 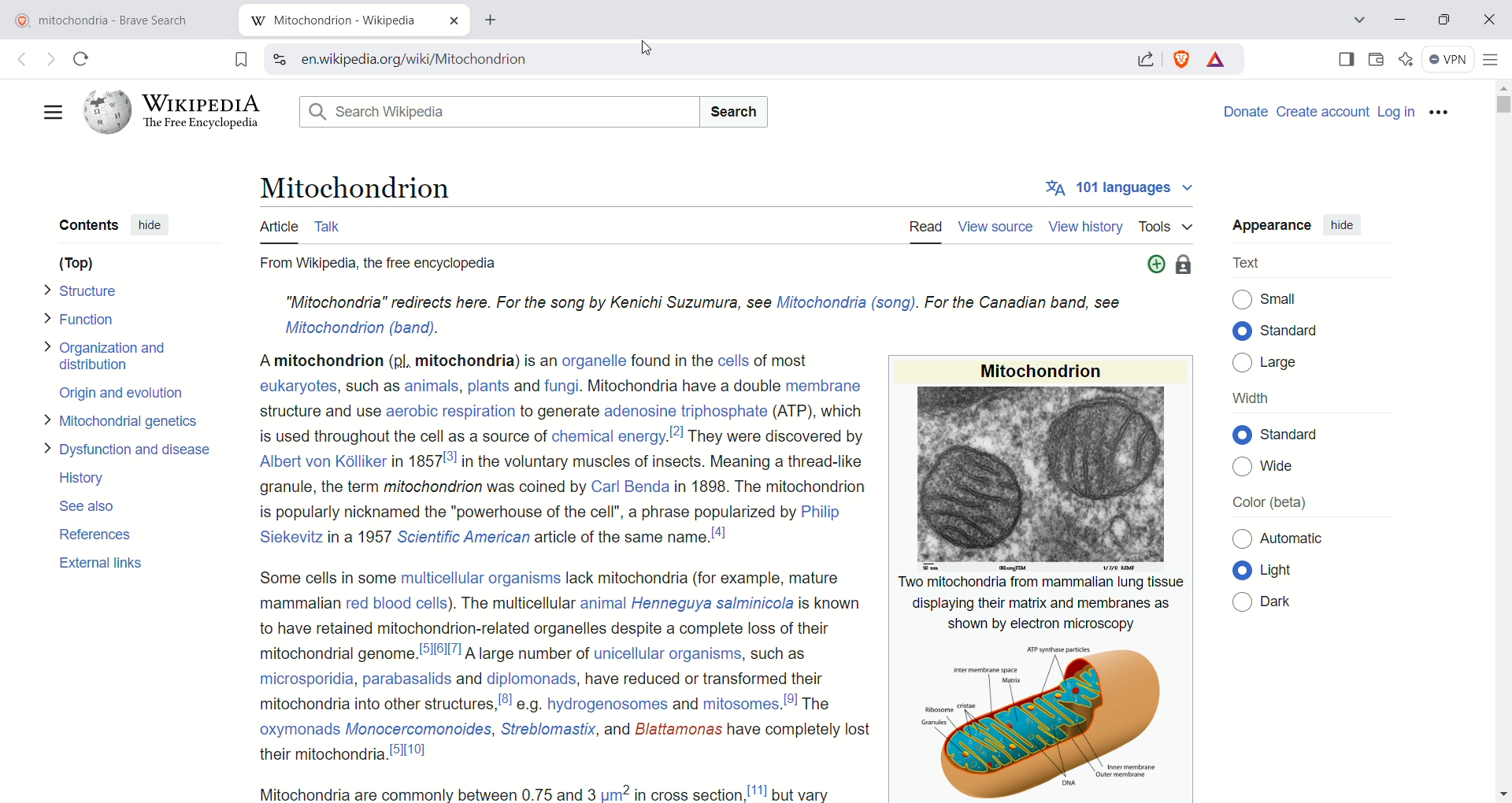 I want to click on Read, so click(x=926, y=228).